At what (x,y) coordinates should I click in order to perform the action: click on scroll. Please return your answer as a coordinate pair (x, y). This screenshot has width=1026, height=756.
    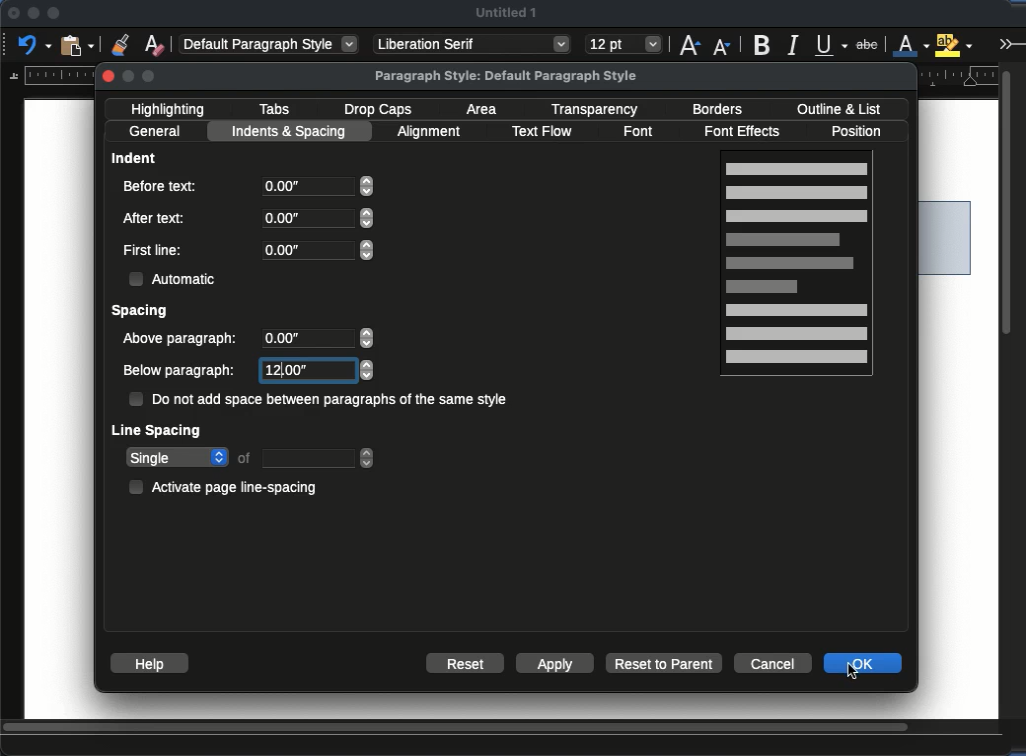
    Looking at the image, I should click on (1012, 389).